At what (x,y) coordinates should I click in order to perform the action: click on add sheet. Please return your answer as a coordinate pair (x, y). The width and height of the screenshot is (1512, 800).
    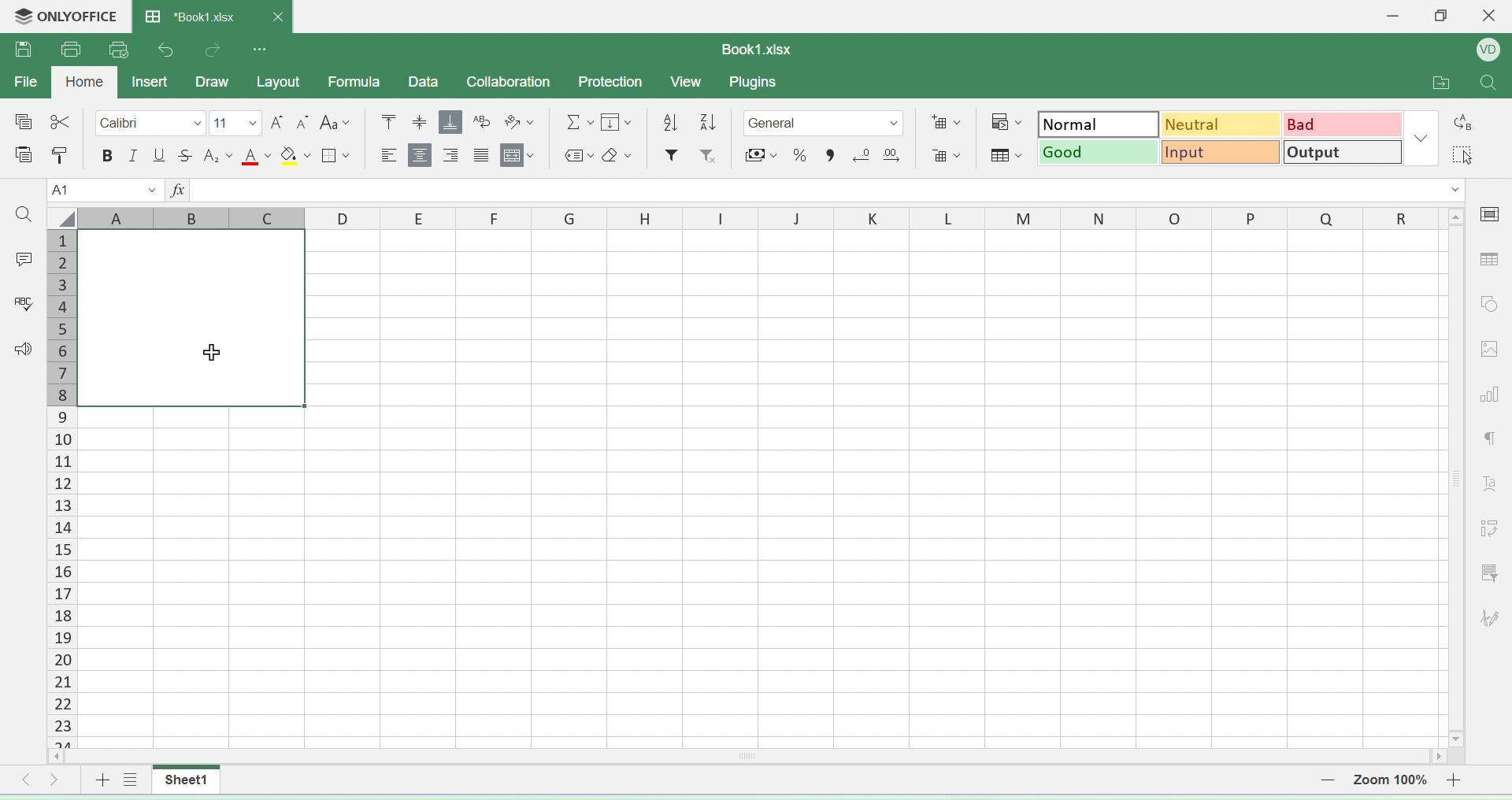
    Looking at the image, I should click on (101, 783).